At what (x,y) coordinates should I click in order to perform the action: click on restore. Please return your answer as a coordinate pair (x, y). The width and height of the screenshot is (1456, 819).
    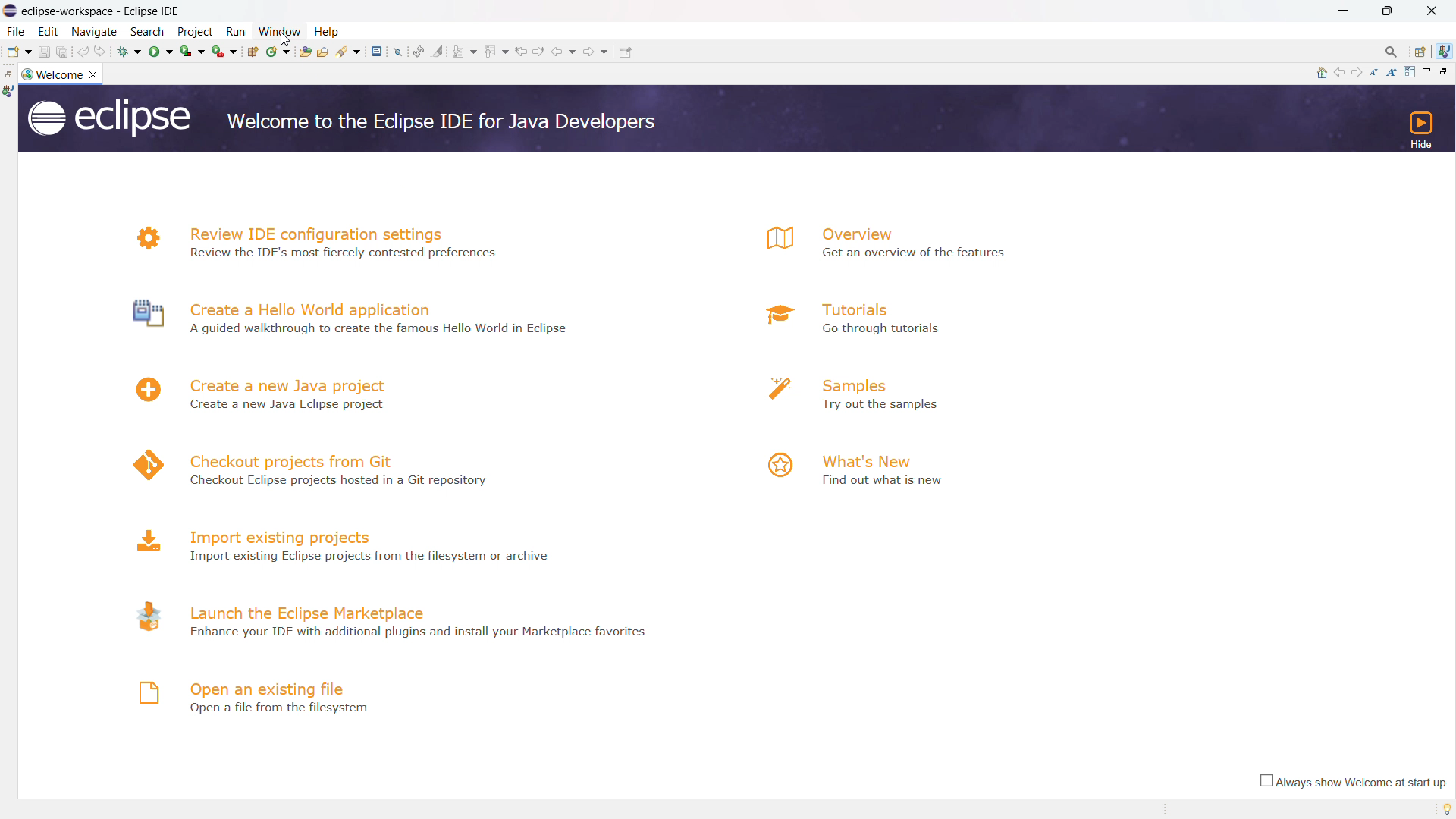
    Looking at the image, I should click on (1447, 71).